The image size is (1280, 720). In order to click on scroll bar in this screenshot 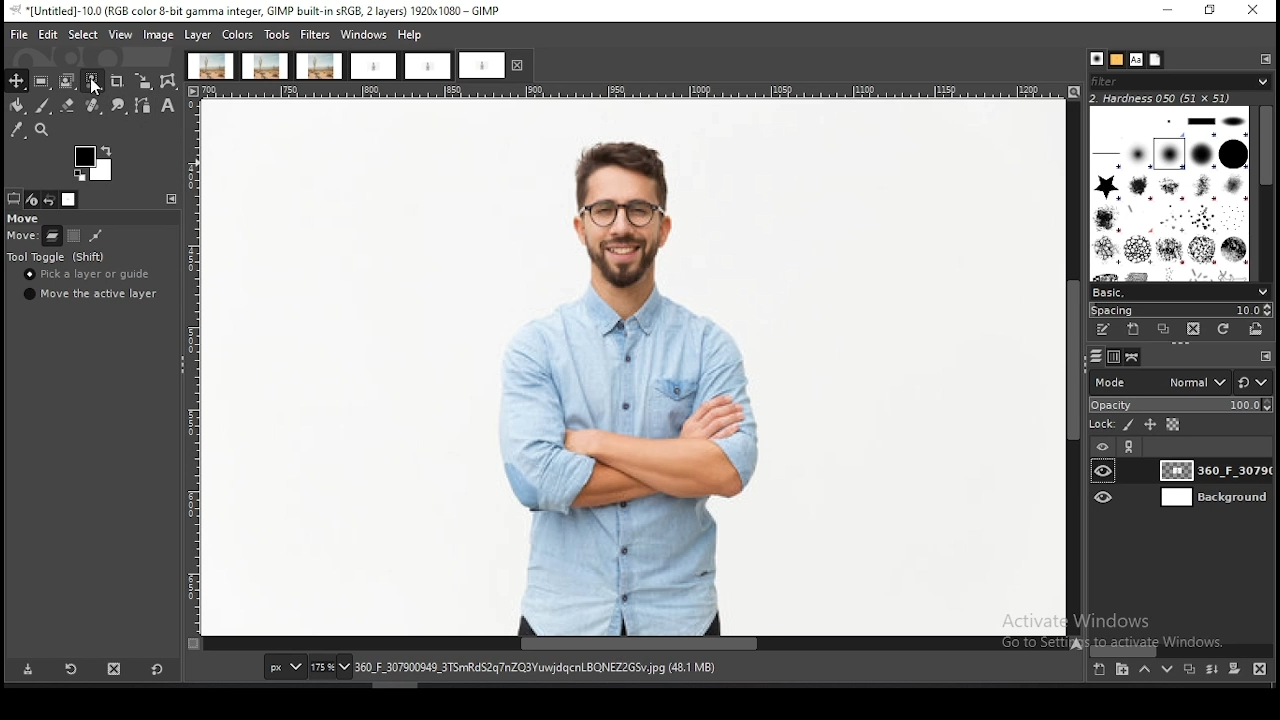, I will do `click(1074, 368)`.